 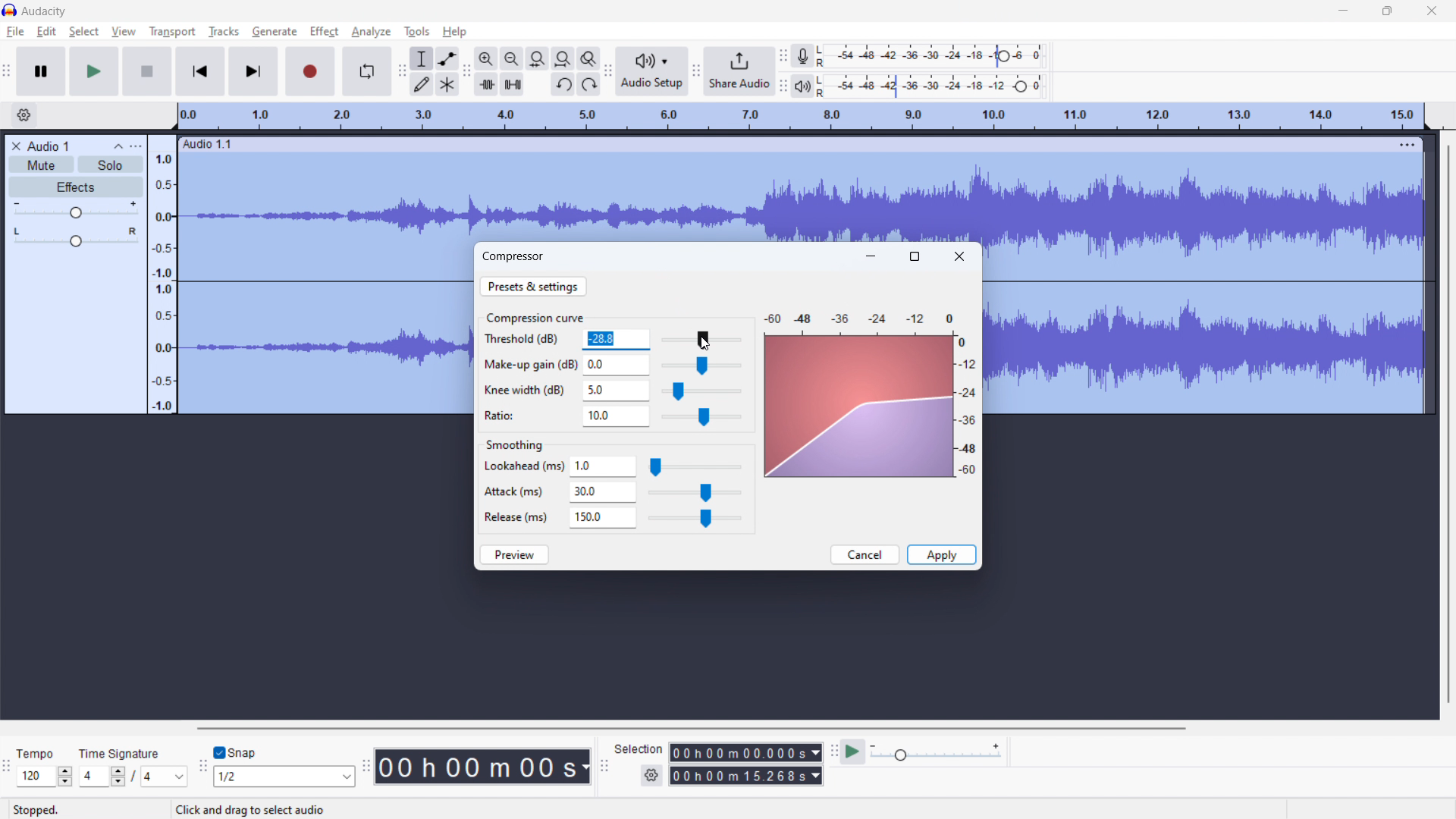 I want to click on skip to start, so click(x=200, y=71).